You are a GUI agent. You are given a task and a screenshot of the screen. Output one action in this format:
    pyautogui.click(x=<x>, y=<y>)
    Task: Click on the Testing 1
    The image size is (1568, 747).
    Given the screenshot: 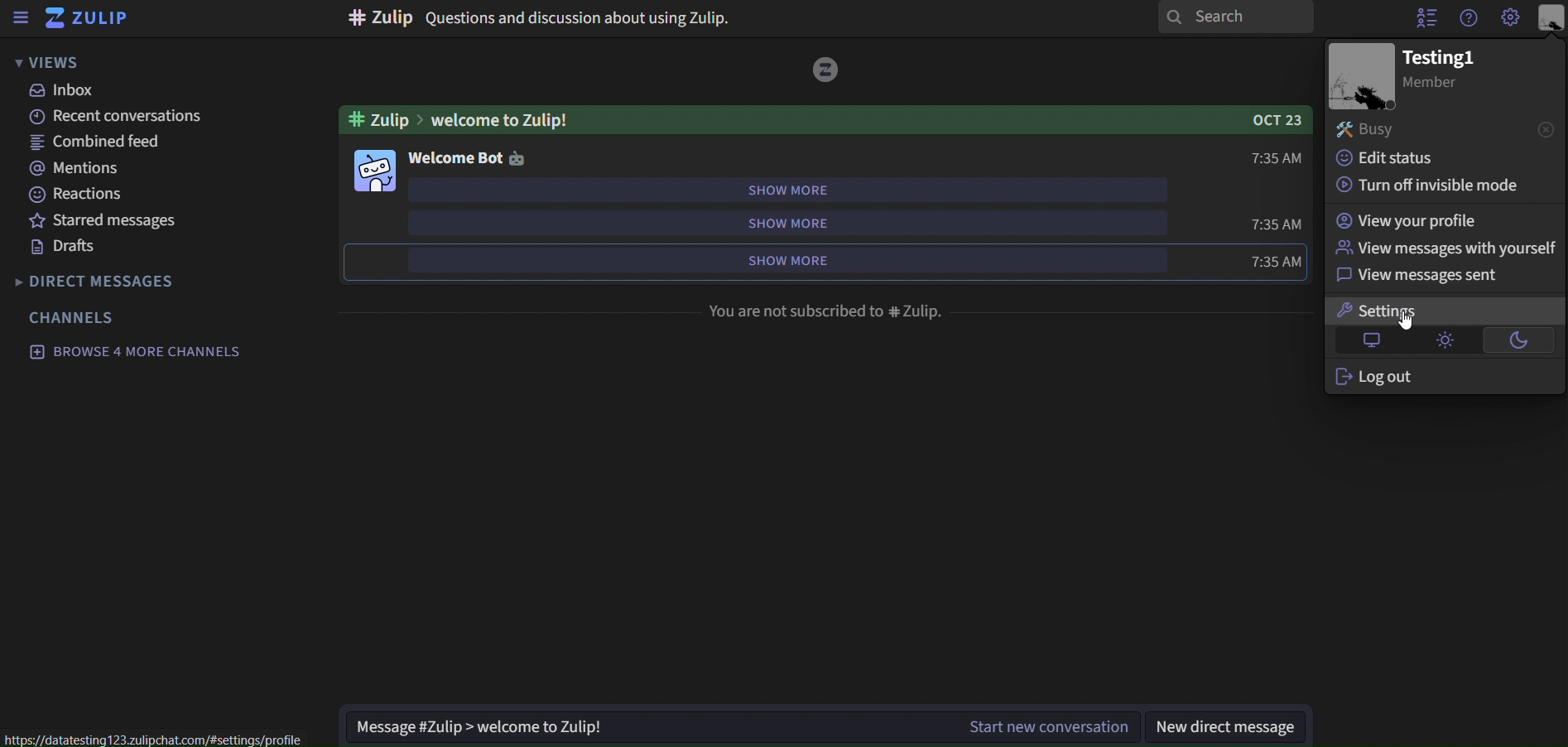 What is the action you would take?
    pyautogui.click(x=1445, y=60)
    